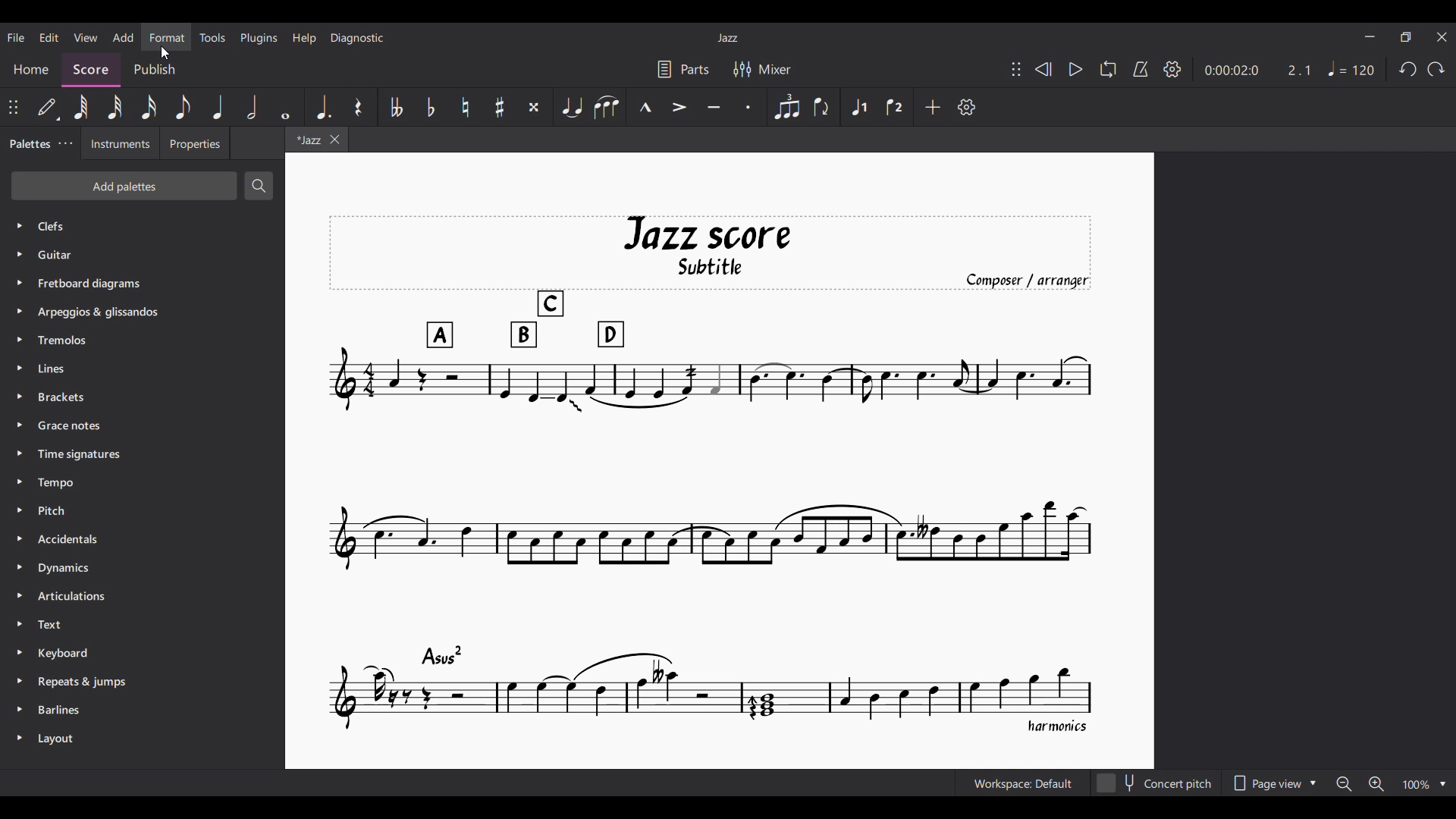 Image resolution: width=1456 pixels, height=819 pixels. What do you see at coordinates (115, 107) in the screenshot?
I see `32nd note` at bounding box center [115, 107].